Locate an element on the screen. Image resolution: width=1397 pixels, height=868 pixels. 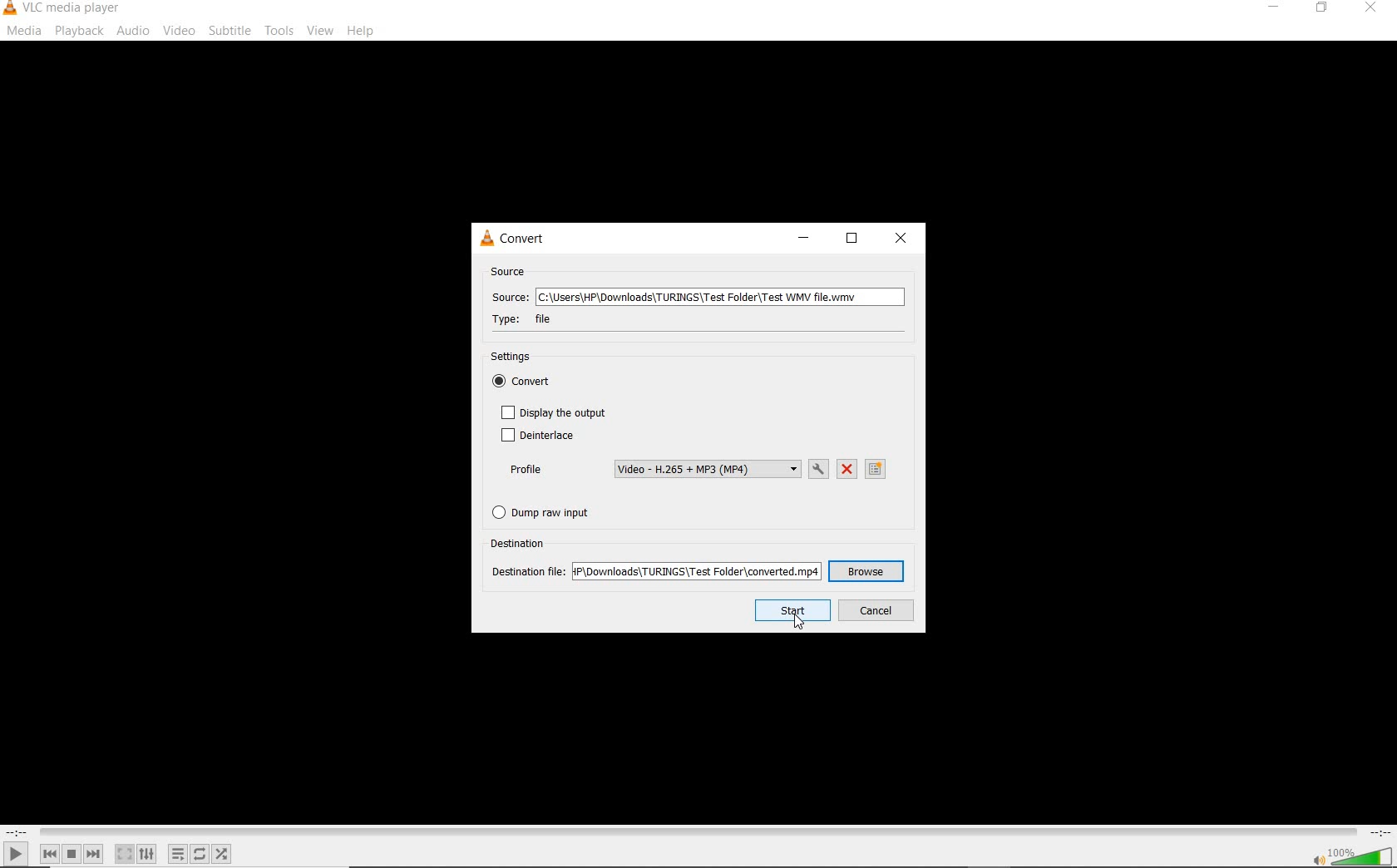
destination file:  is located at coordinates (528, 570).